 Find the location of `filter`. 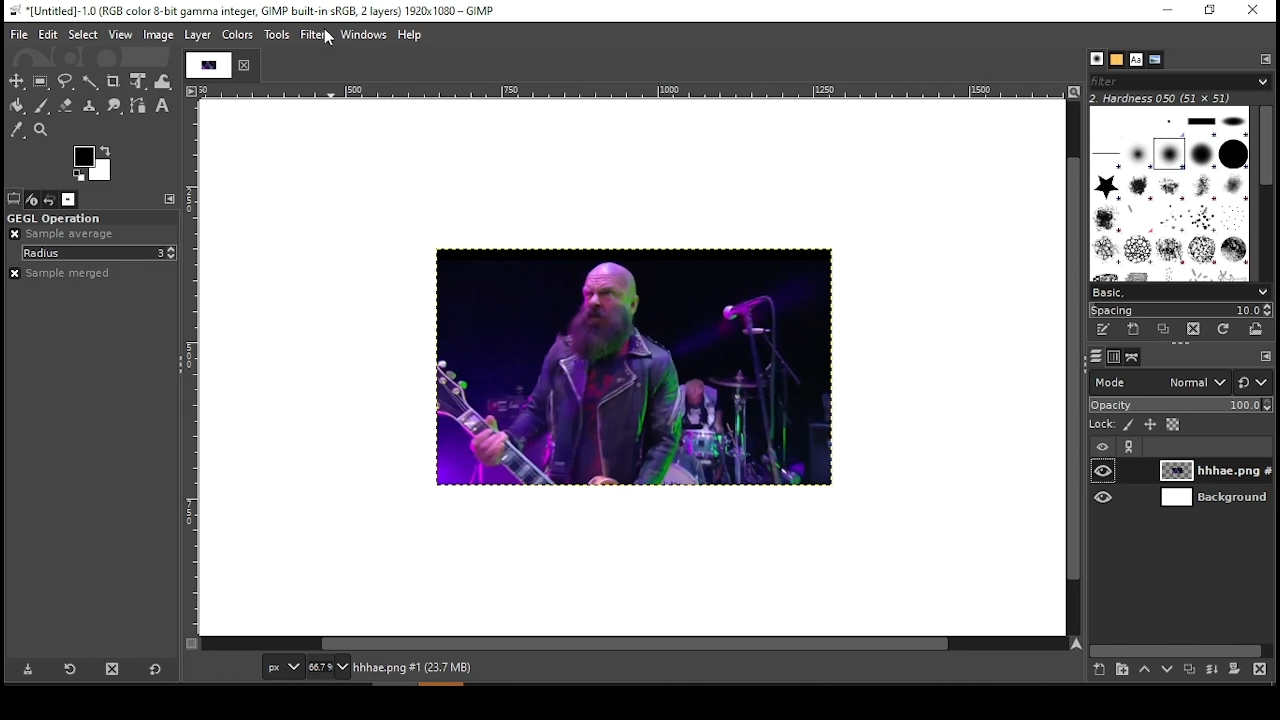

filter is located at coordinates (315, 35).